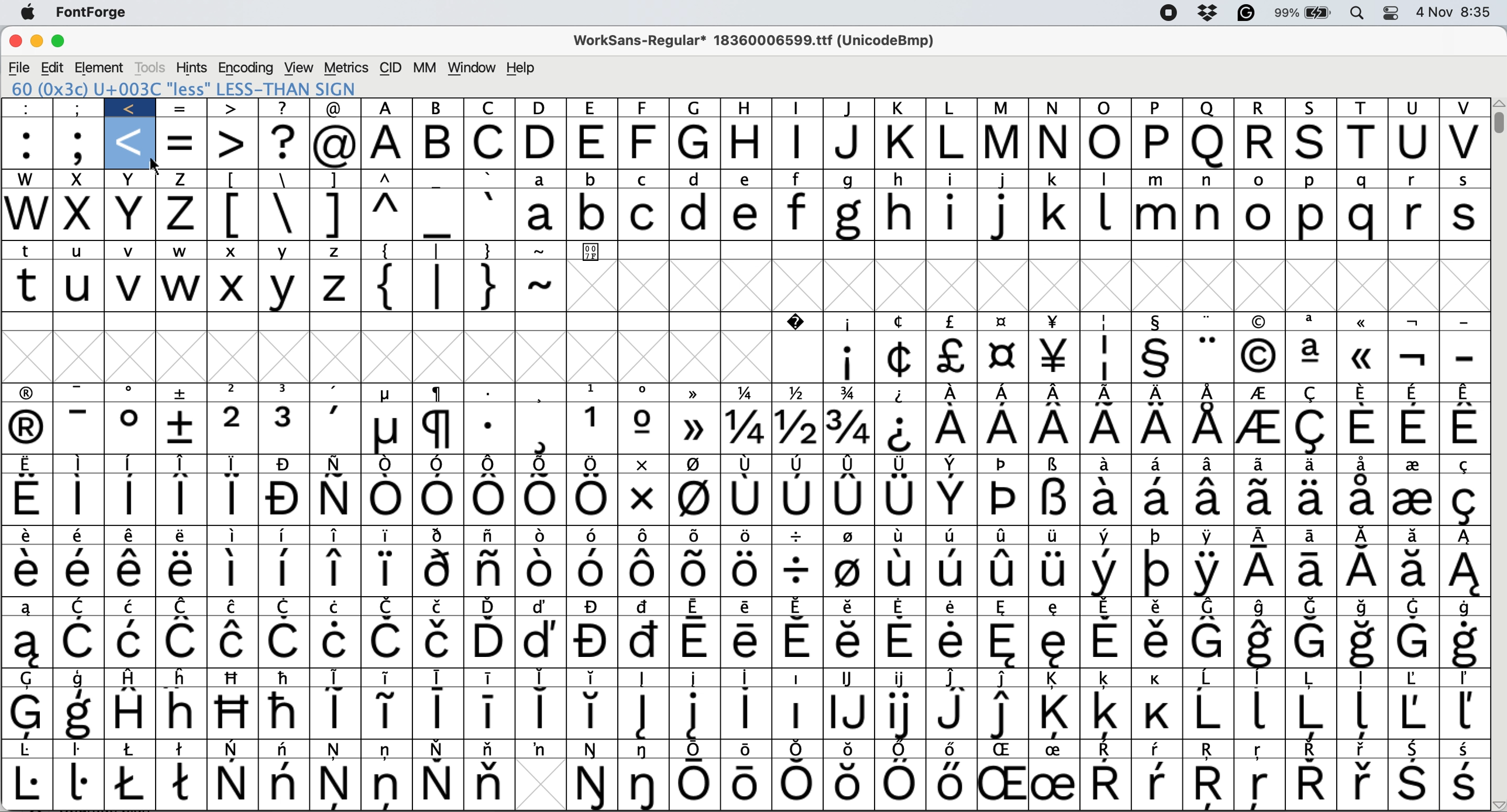 The width and height of the screenshot is (1507, 812). I want to click on Symbol, so click(1210, 786).